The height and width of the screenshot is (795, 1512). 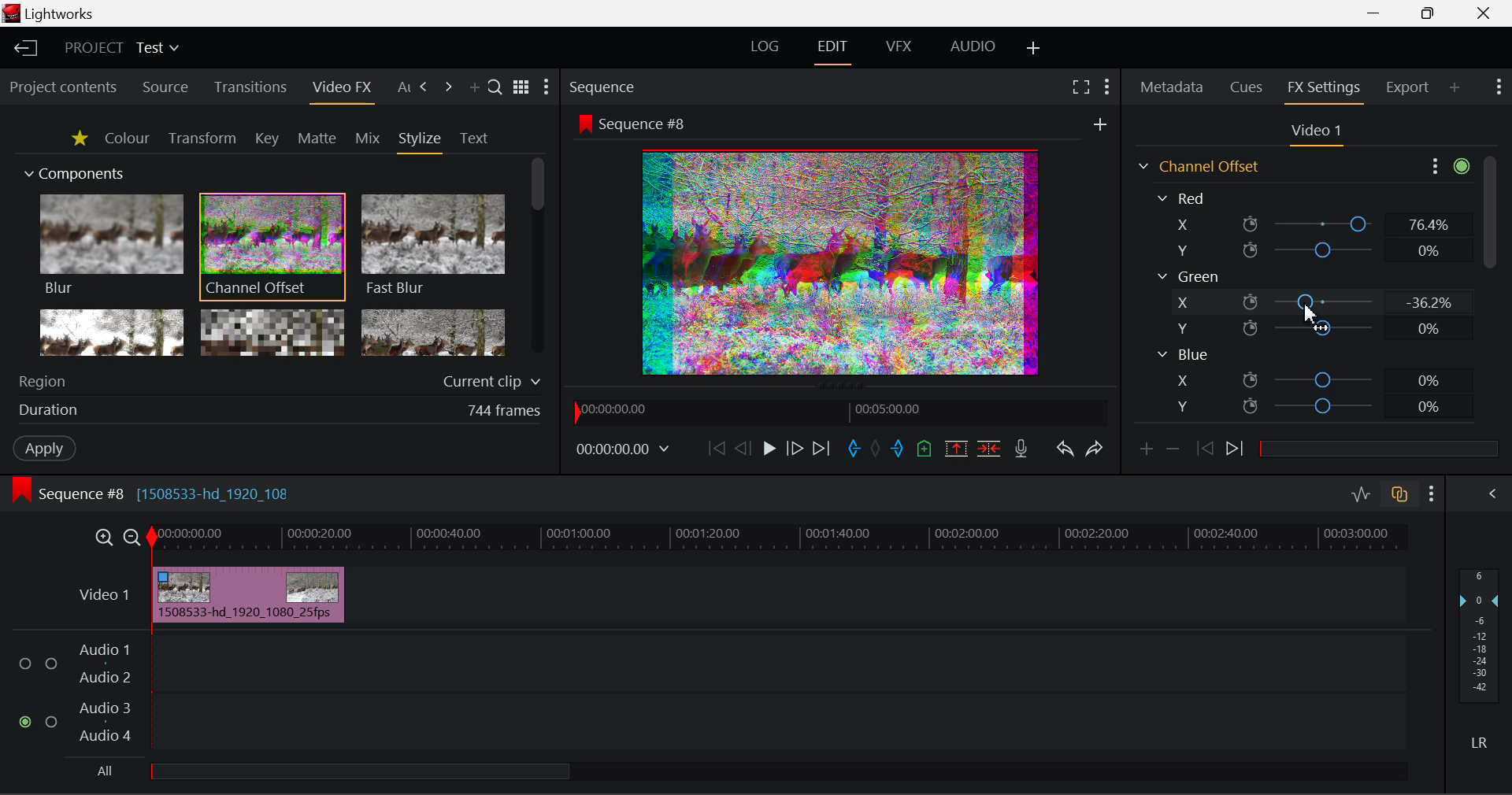 I want to click on Previous keyframe, so click(x=1206, y=449).